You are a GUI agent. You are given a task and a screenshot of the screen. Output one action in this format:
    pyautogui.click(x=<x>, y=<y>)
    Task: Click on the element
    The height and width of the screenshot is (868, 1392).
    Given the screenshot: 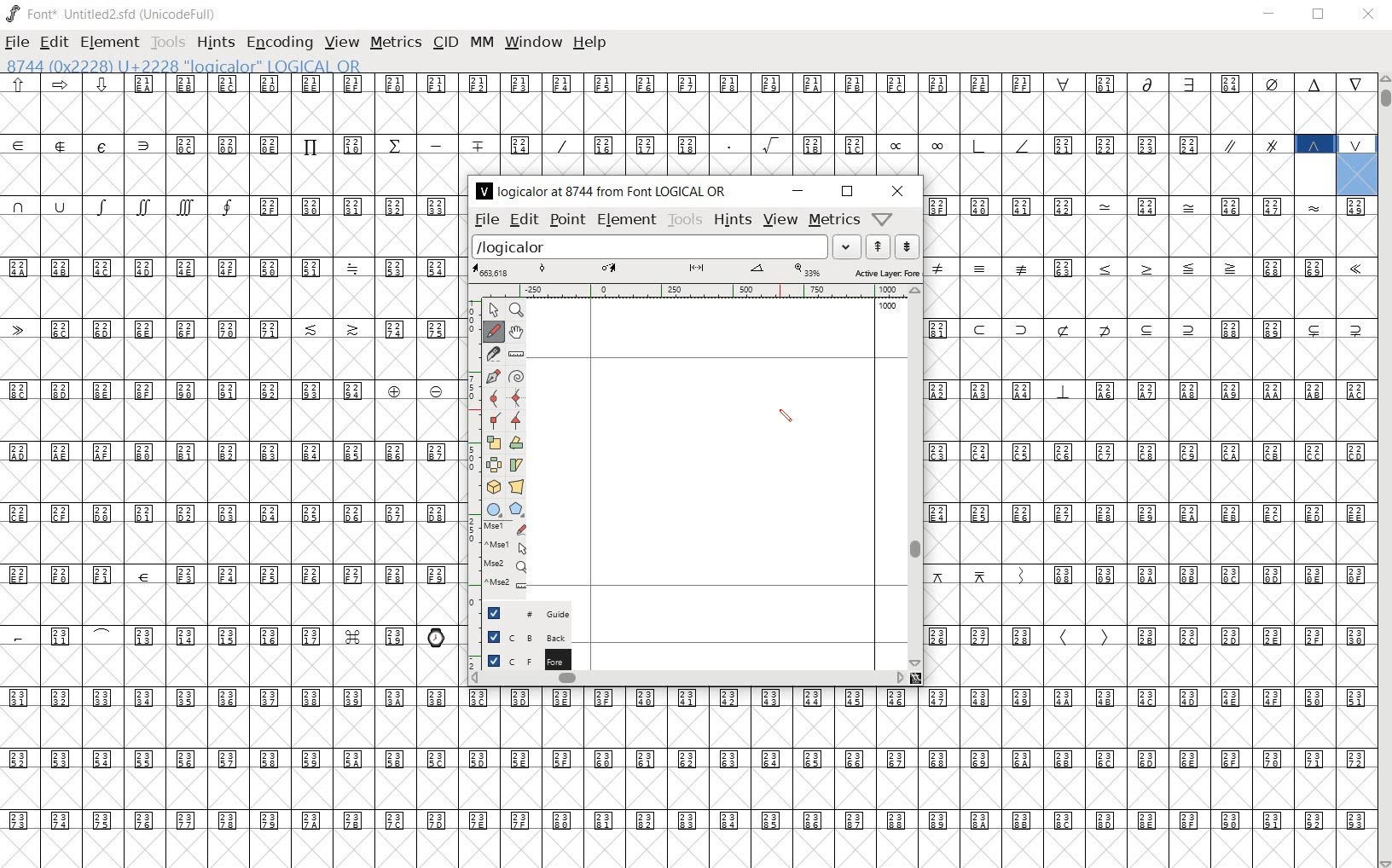 What is the action you would take?
    pyautogui.click(x=109, y=42)
    